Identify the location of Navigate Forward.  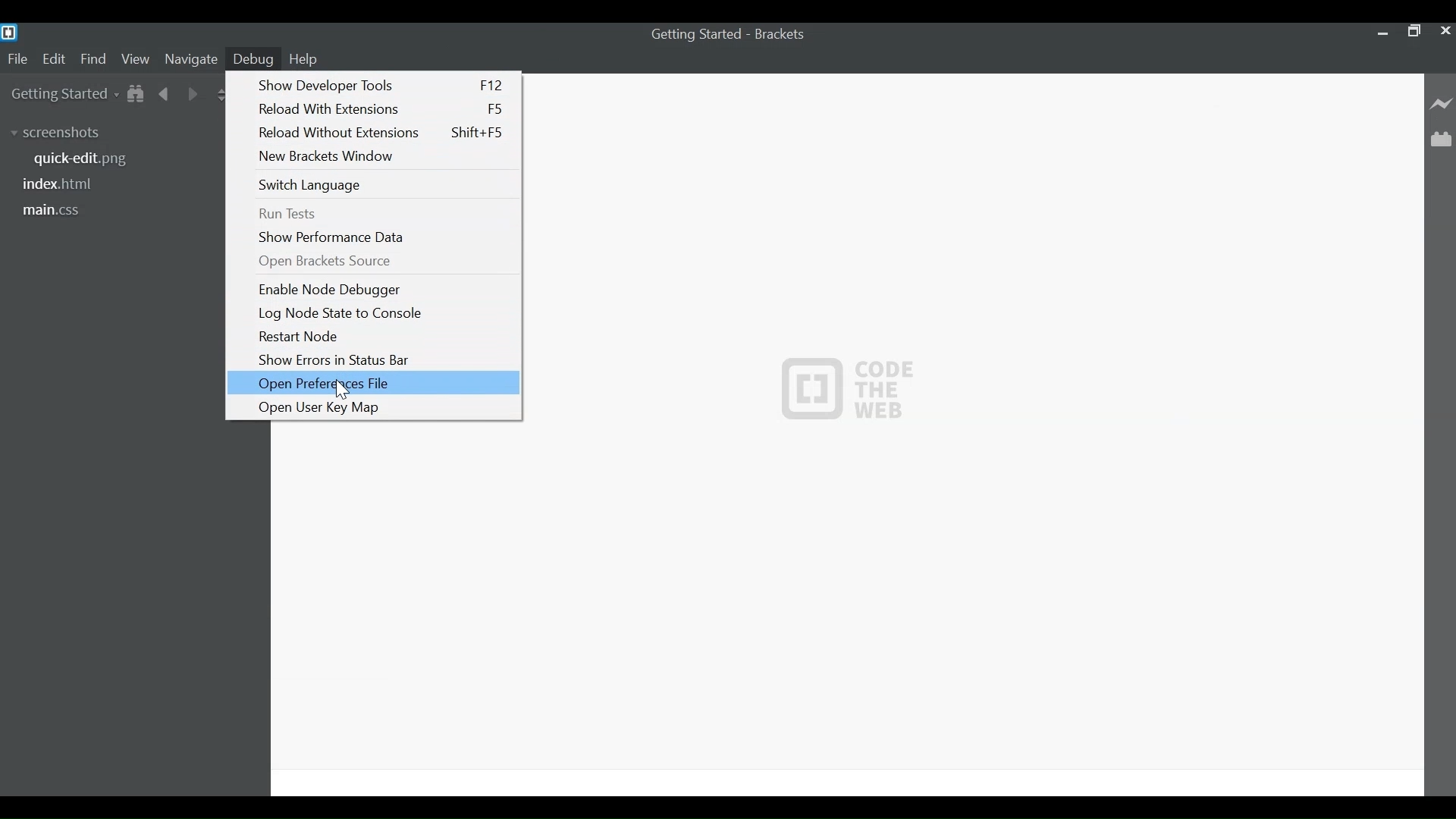
(193, 96).